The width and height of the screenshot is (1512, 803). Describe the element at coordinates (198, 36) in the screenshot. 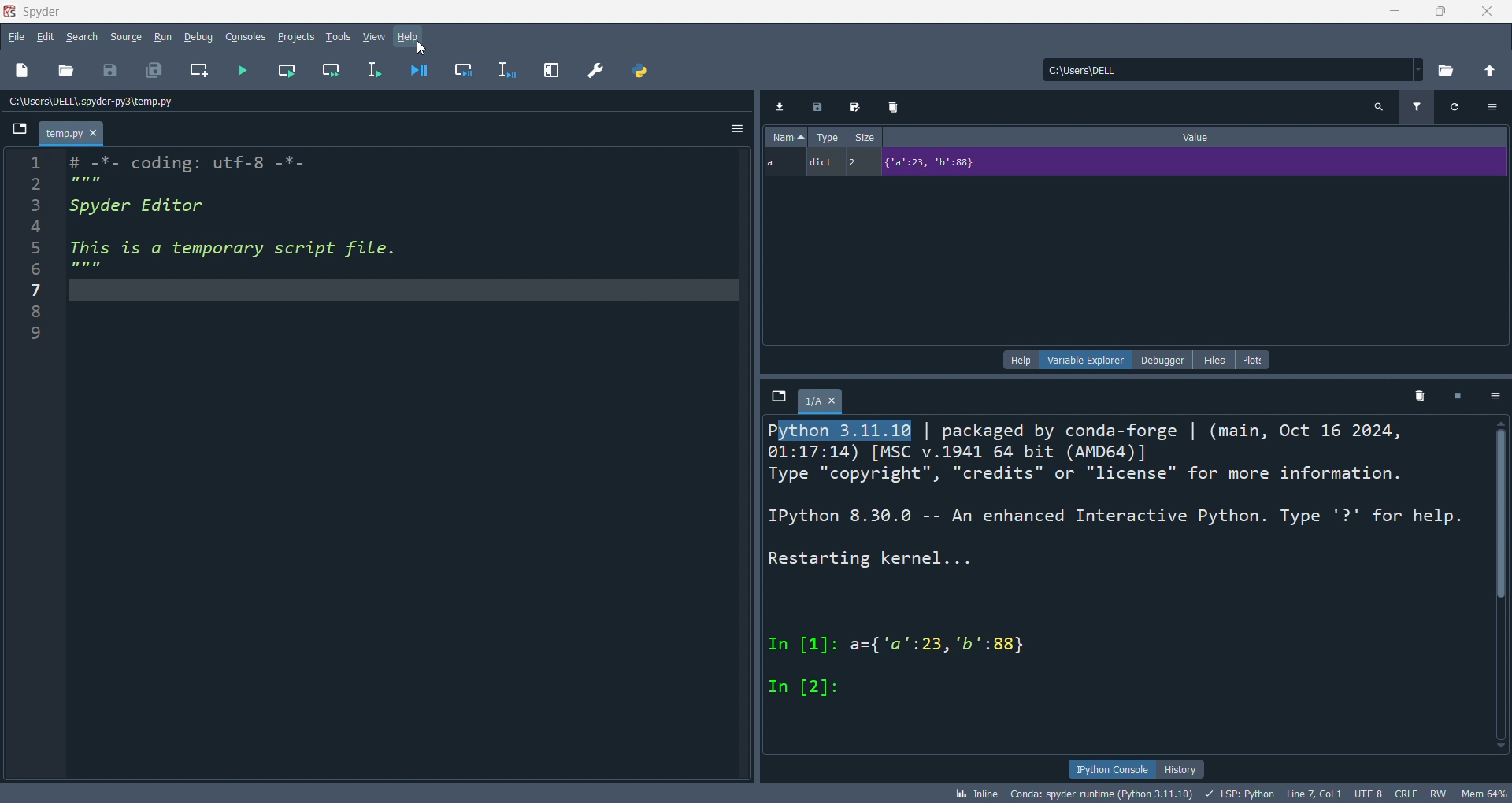

I see `debug ` at that location.